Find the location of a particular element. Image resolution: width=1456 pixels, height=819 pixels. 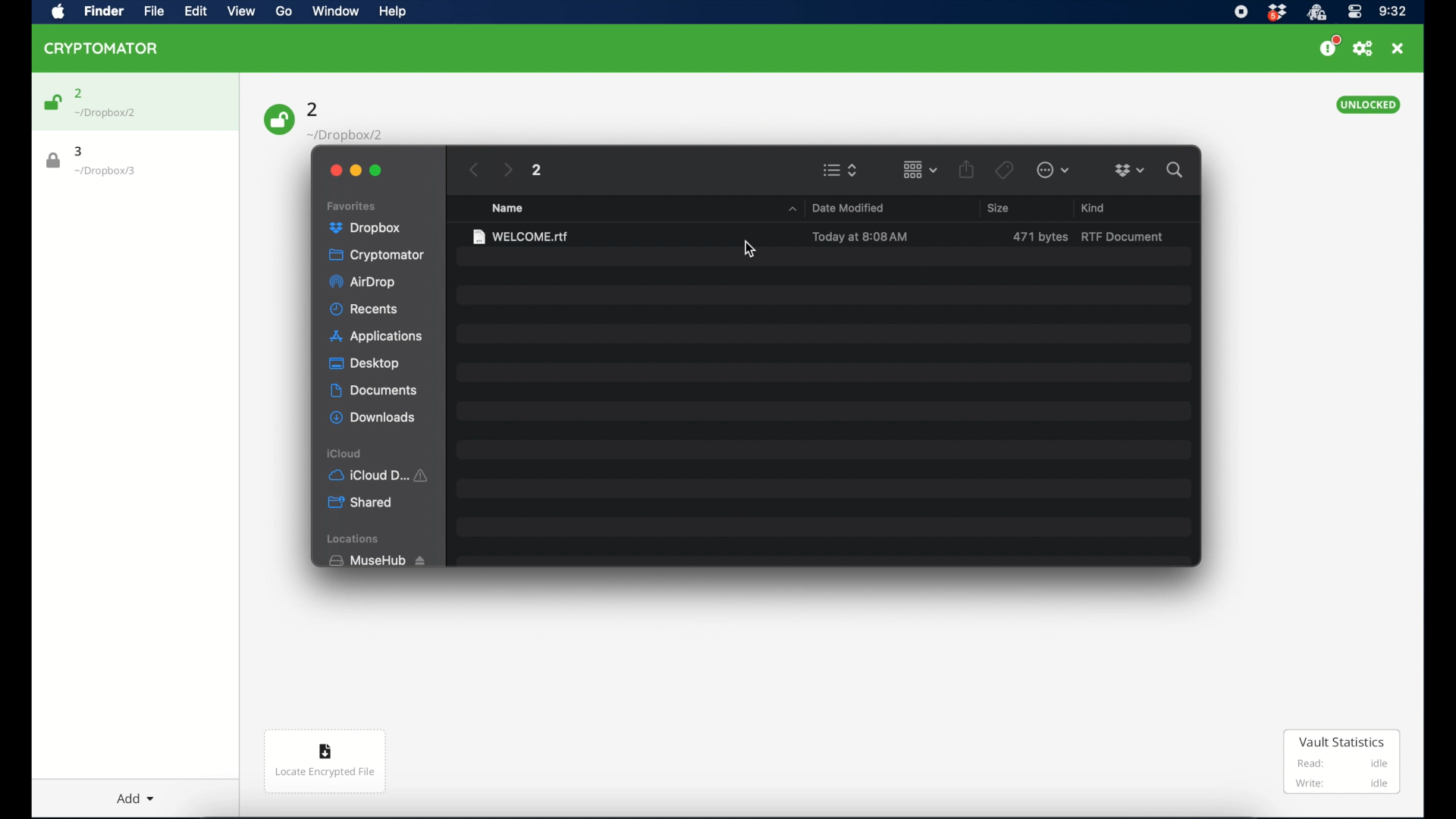

date is located at coordinates (861, 237).